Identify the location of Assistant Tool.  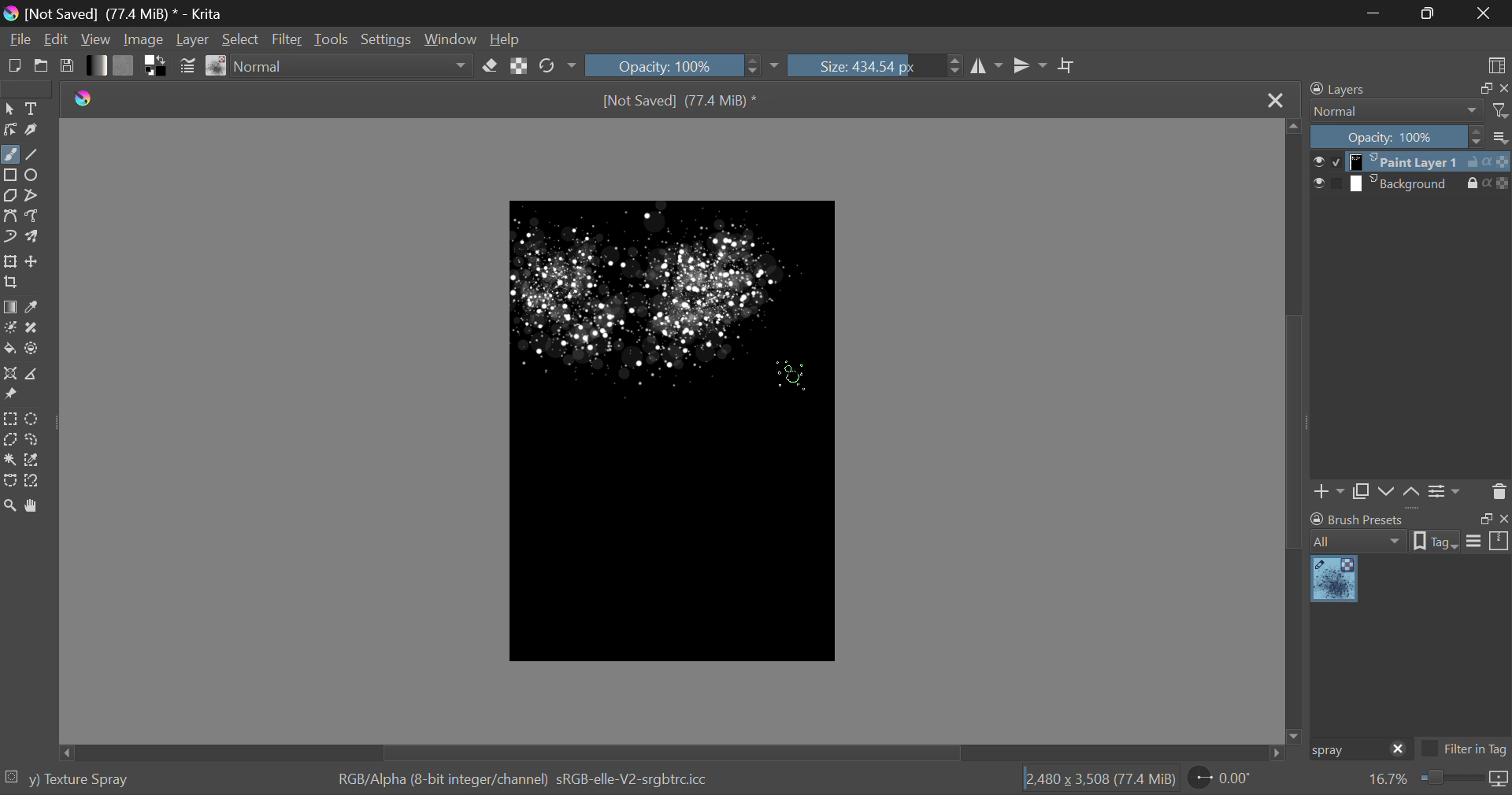
(9, 374).